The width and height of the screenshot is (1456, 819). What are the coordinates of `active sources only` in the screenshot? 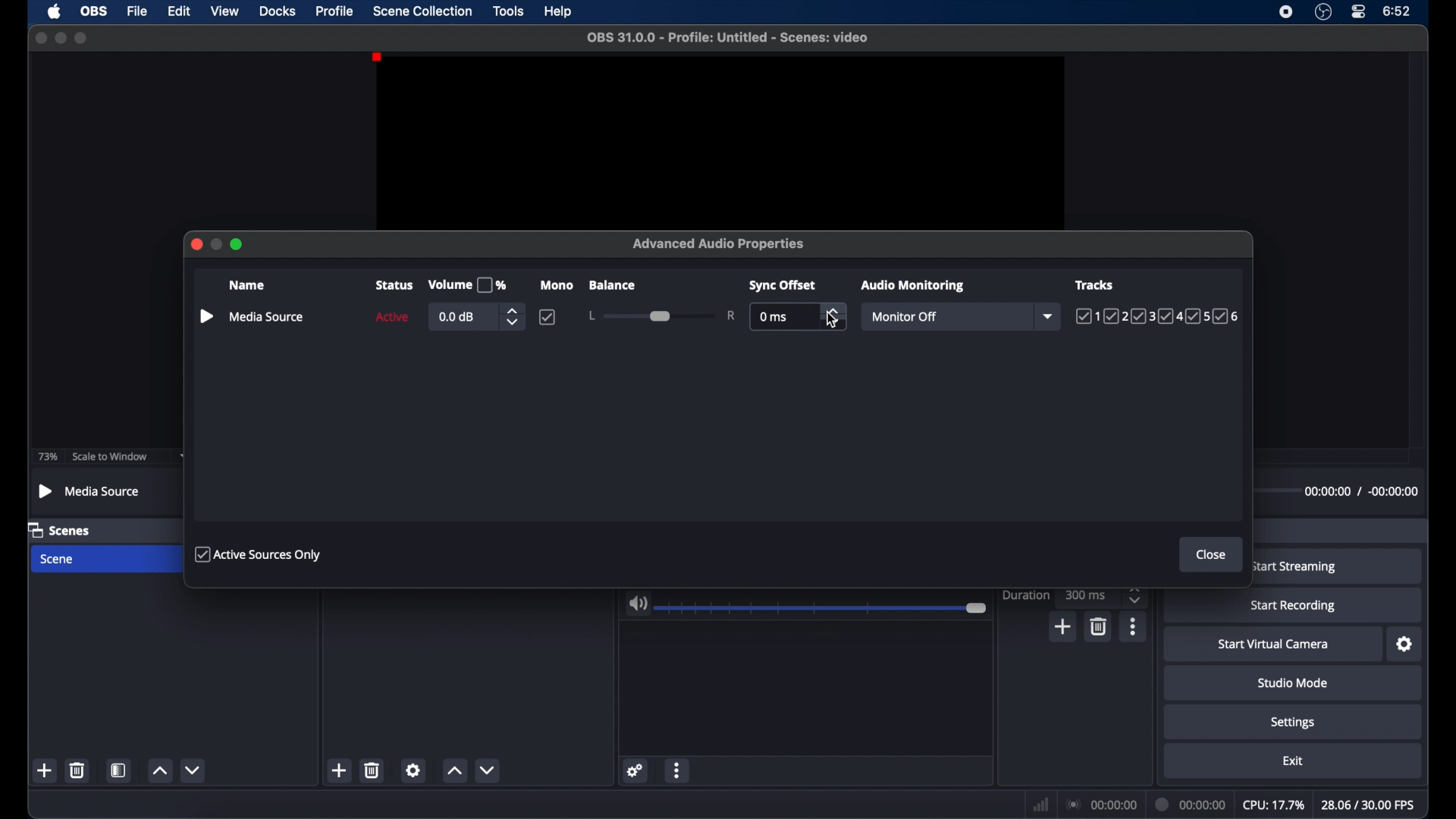 It's located at (259, 553).